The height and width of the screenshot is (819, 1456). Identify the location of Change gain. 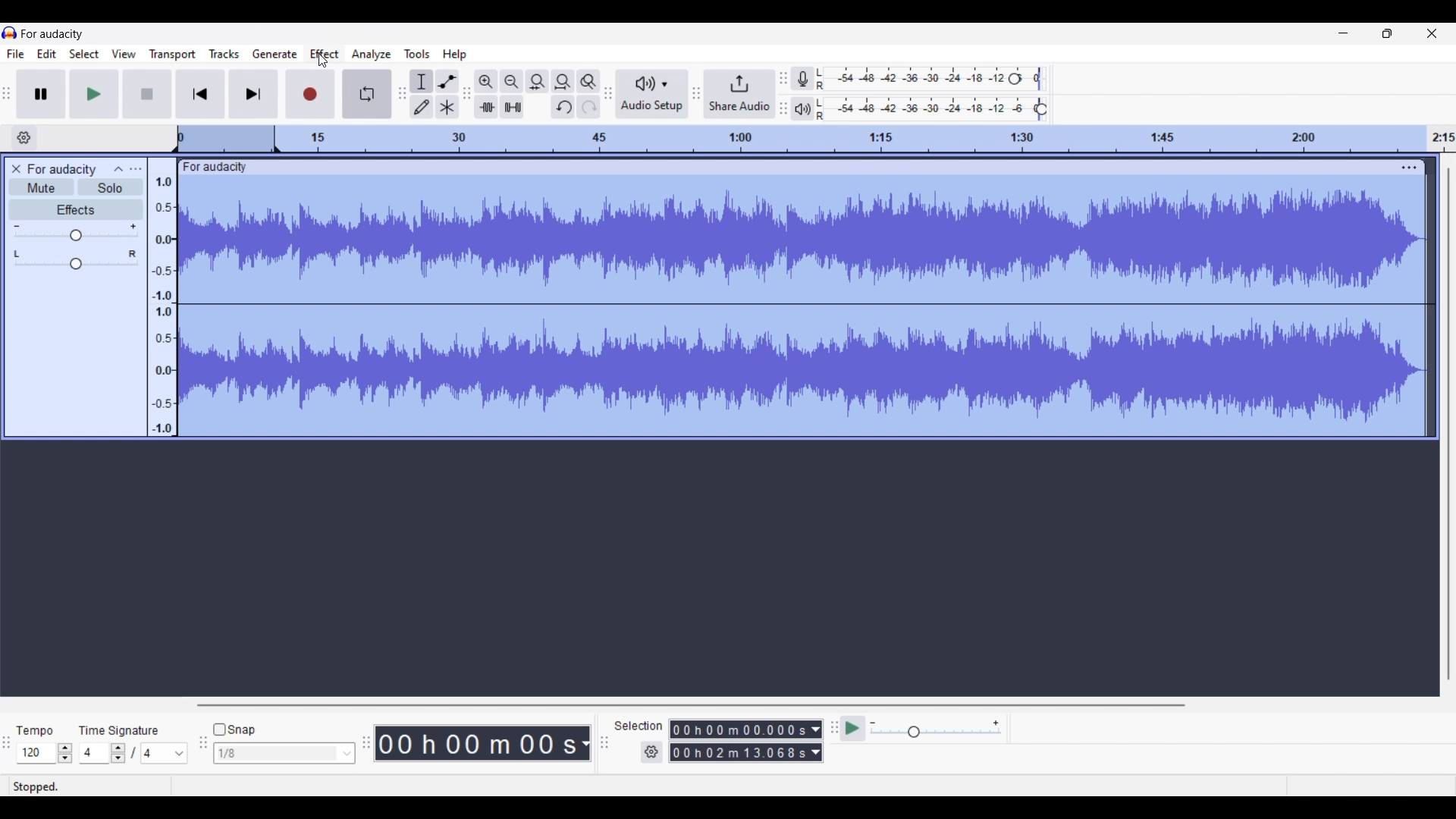
(76, 236).